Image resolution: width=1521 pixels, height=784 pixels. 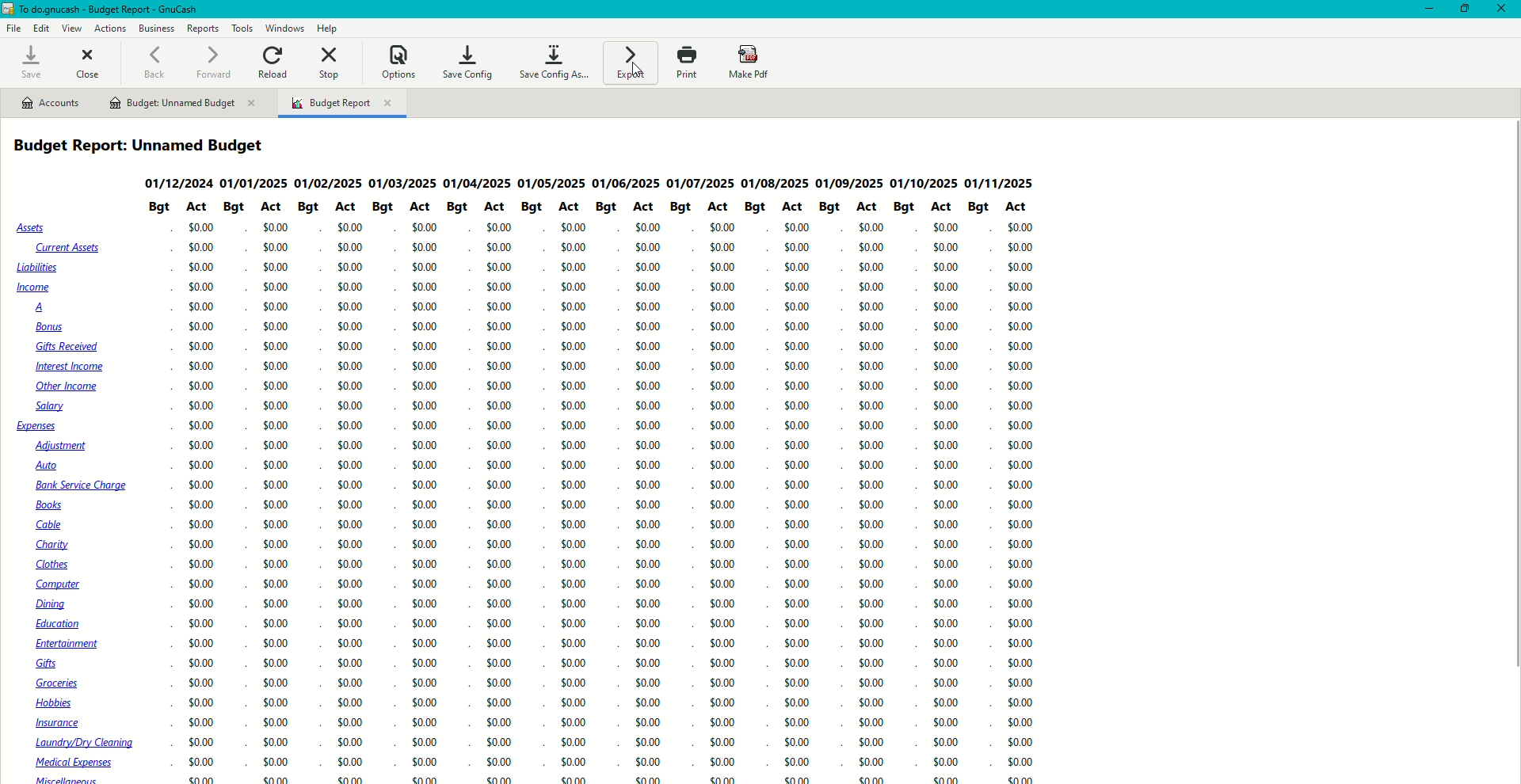 What do you see at coordinates (504, 346) in the screenshot?
I see `$0.00` at bounding box center [504, 346].